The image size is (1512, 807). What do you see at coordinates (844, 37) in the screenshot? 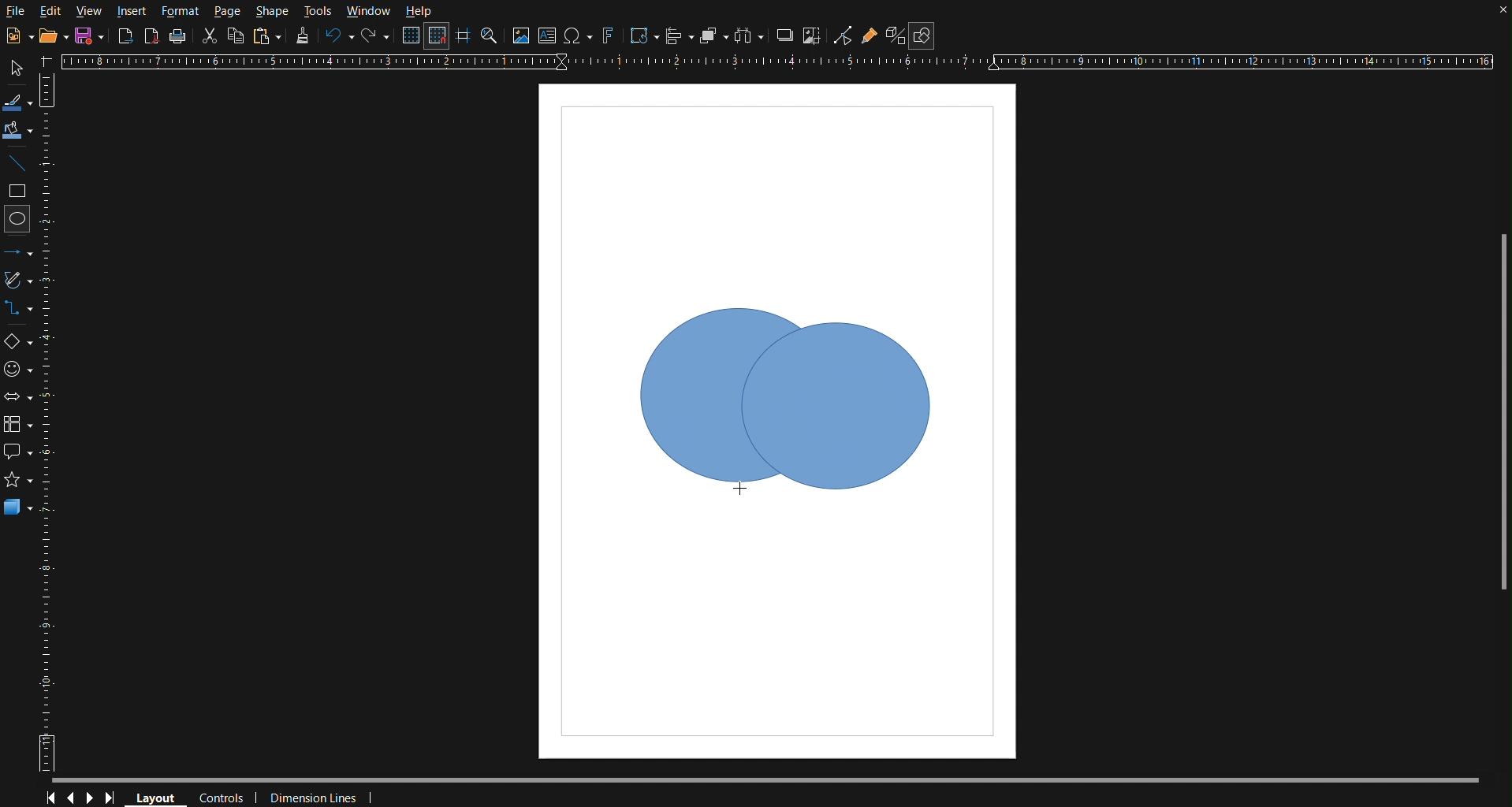
I see `Toggle Point Edit Mode` at bounding box center [844, 37].